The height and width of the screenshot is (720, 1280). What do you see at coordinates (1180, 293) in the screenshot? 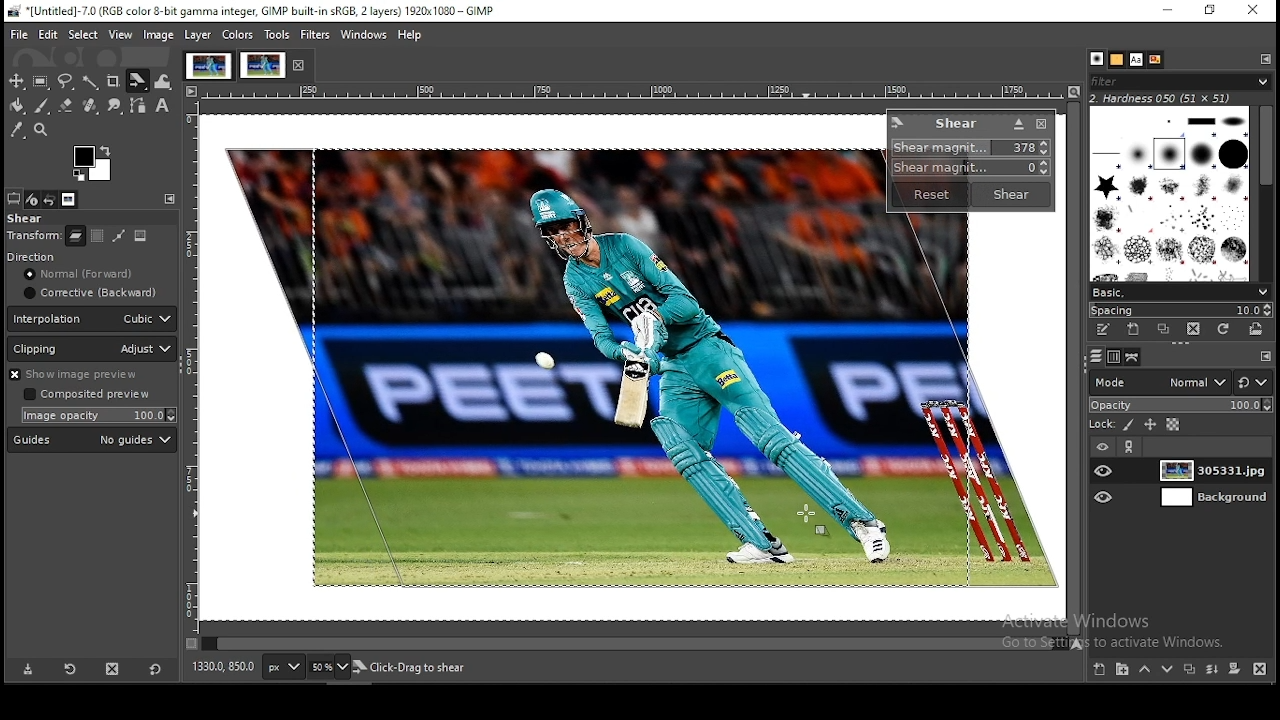
I see `basic` at bounding box center [1180, 293].